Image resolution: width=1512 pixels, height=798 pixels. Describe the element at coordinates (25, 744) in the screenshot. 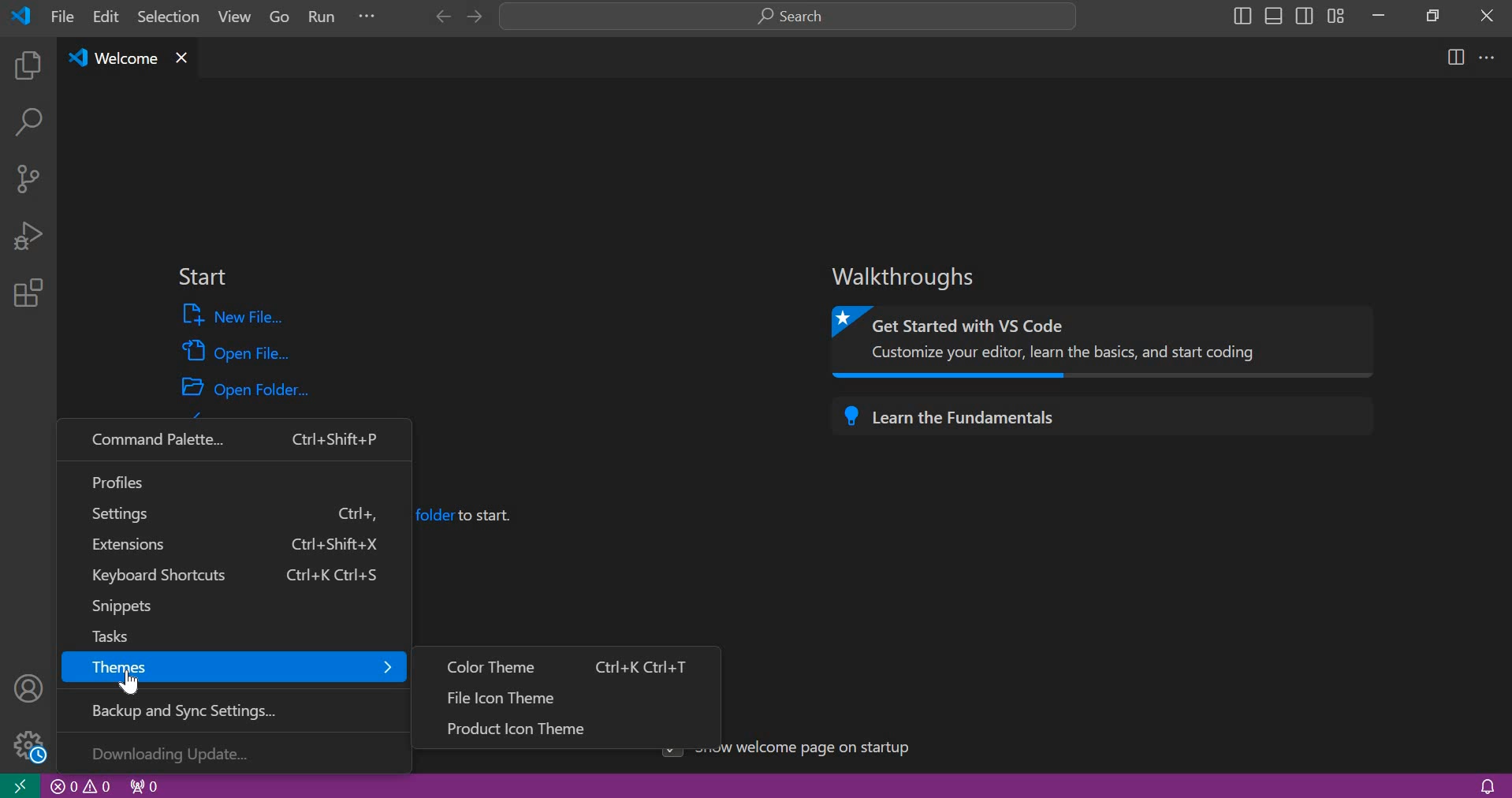

I see `manage` at that location.